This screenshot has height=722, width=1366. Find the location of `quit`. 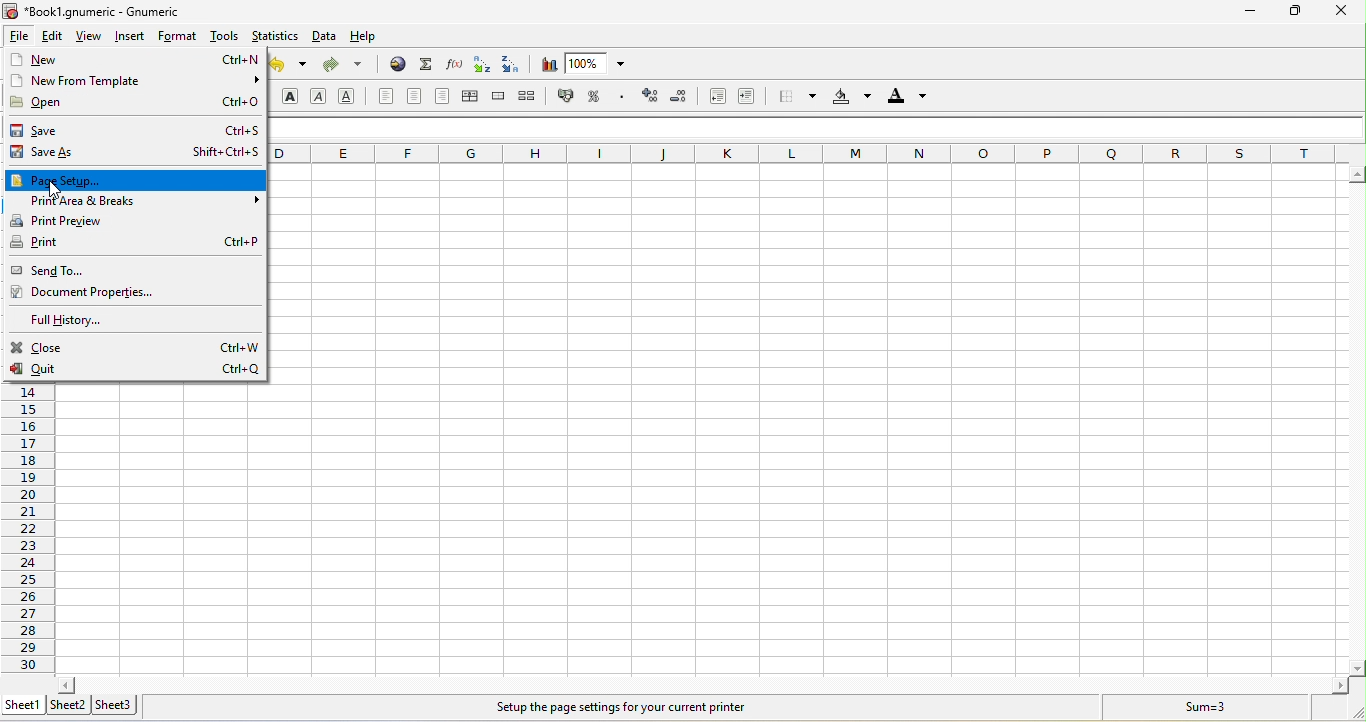

quit is located at coordinates (135, 372).